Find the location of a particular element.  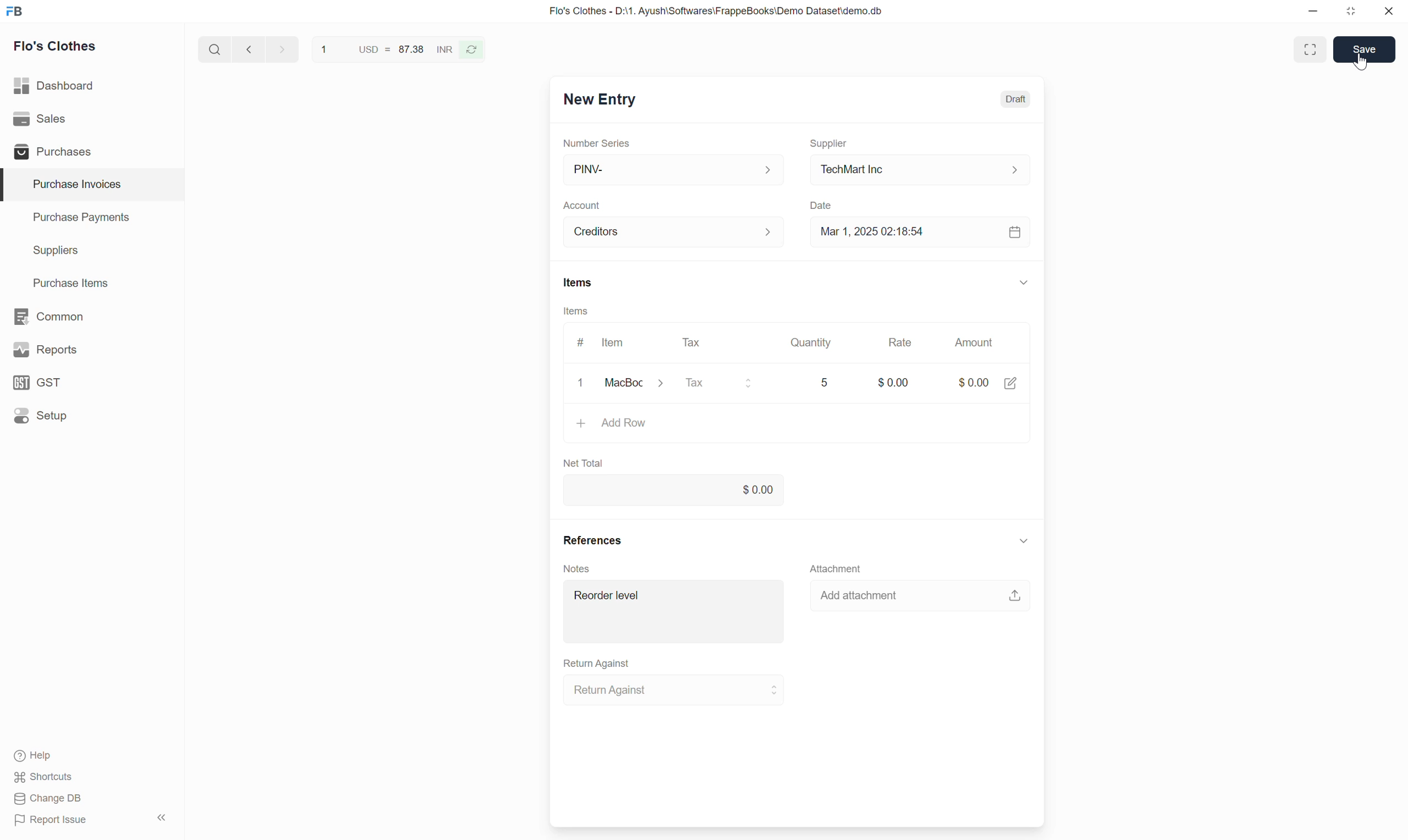

Return Against is located at coordinates (675, 690).